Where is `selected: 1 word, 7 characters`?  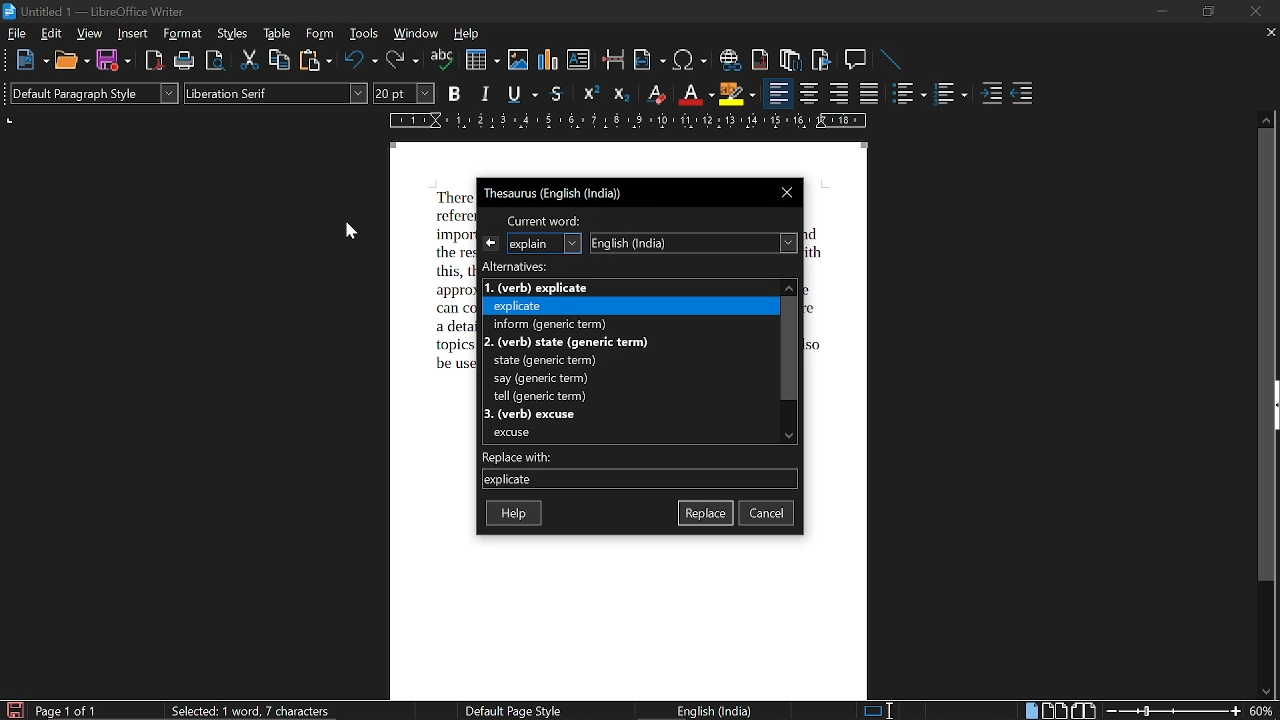
selected: 1 word, 7 characters is located at coordinates (253, 711).